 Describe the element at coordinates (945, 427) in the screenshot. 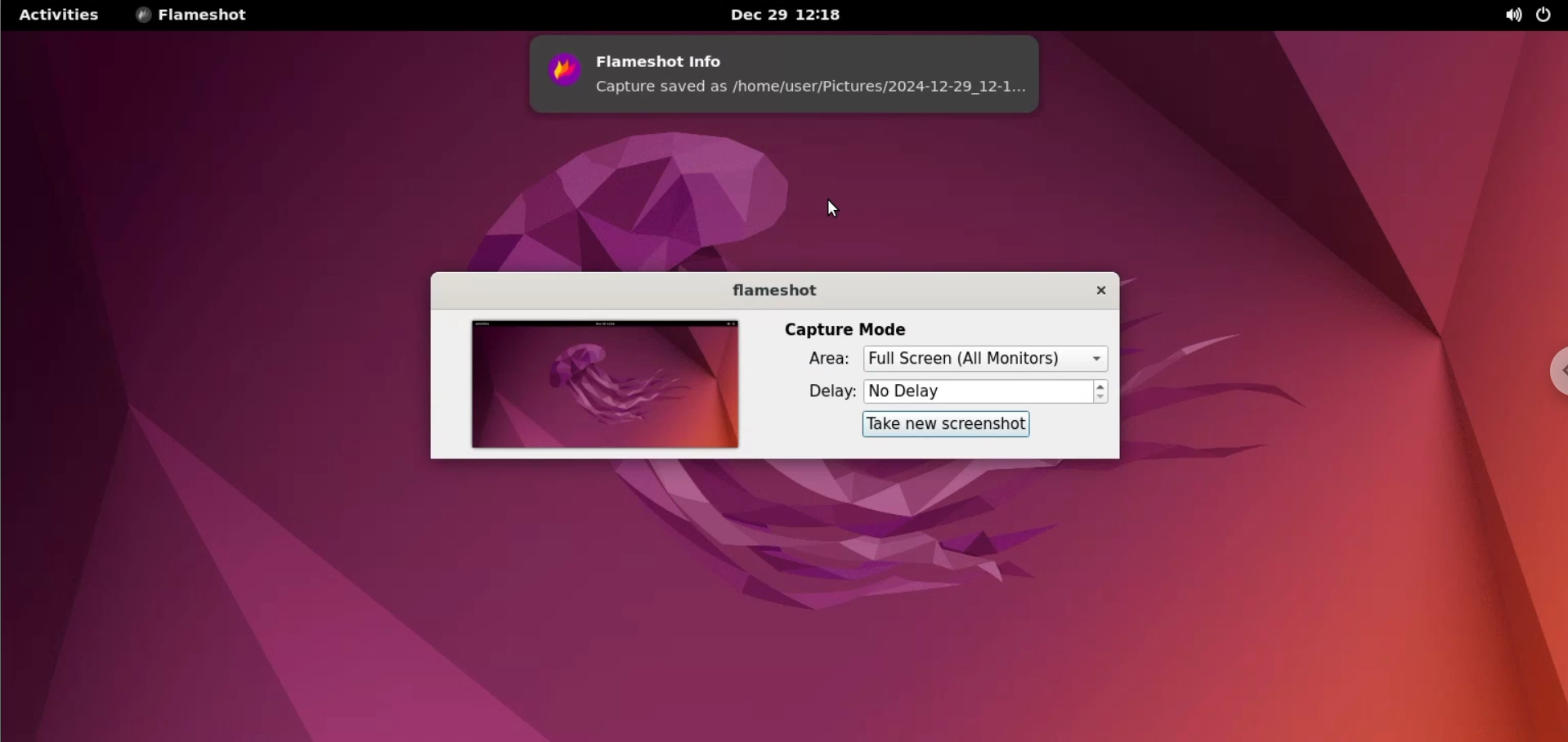

I see `take new screenshot` at that location.